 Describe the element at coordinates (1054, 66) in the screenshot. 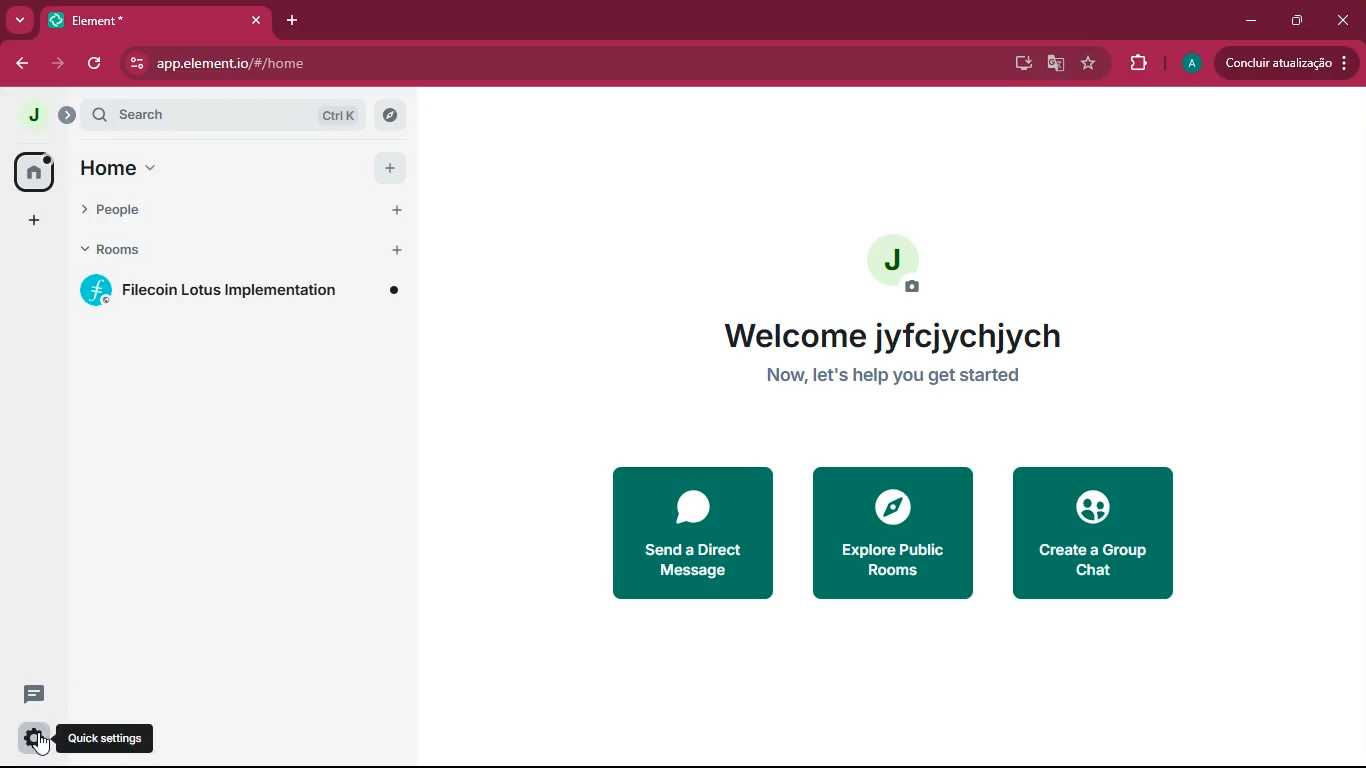

I see `google translate` at that location.